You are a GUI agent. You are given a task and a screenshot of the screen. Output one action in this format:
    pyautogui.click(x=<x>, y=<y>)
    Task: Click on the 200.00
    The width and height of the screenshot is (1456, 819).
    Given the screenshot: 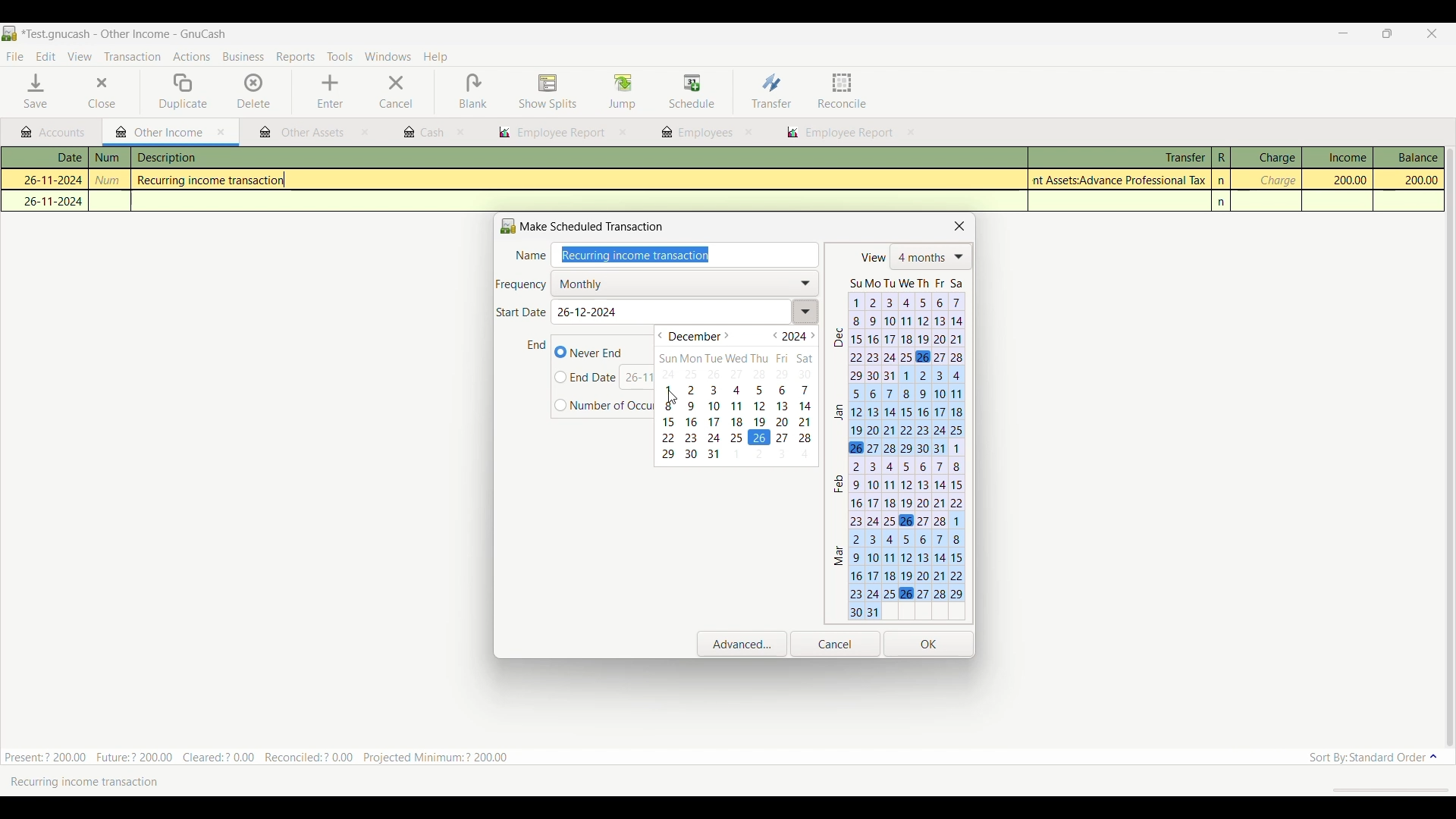 What is the action you would take?
    pyautogui.click(x=1342, y=180)
    